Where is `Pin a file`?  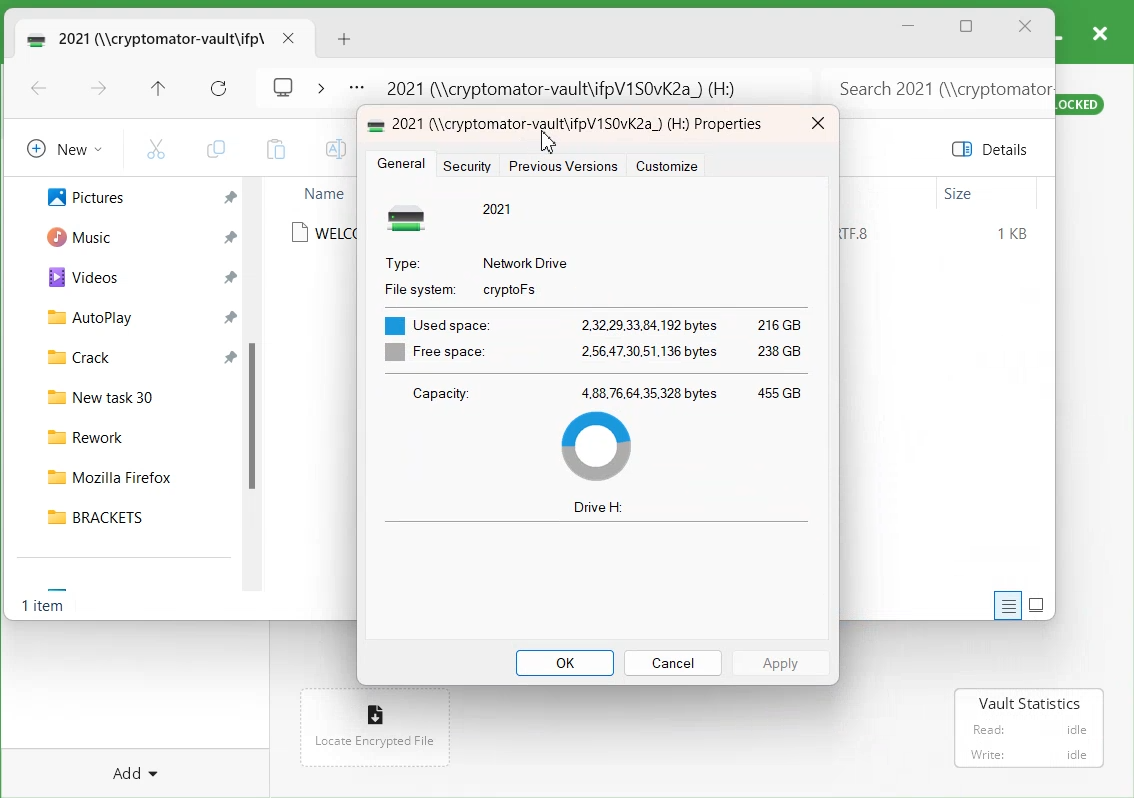
Pin a file is located at coordinates (231, 198).